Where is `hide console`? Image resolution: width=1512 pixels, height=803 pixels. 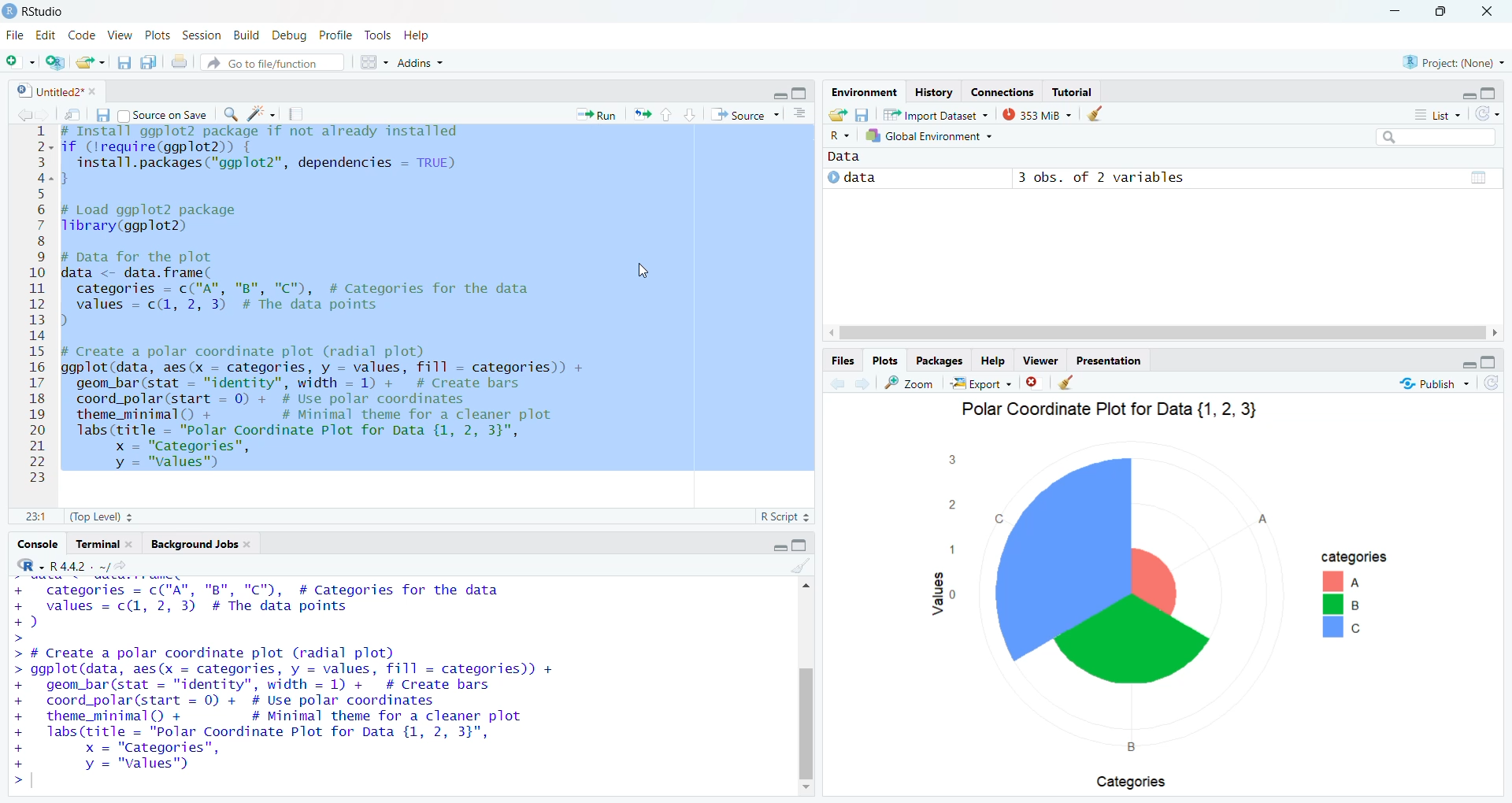 hide console is located at coordinates (805, 546).